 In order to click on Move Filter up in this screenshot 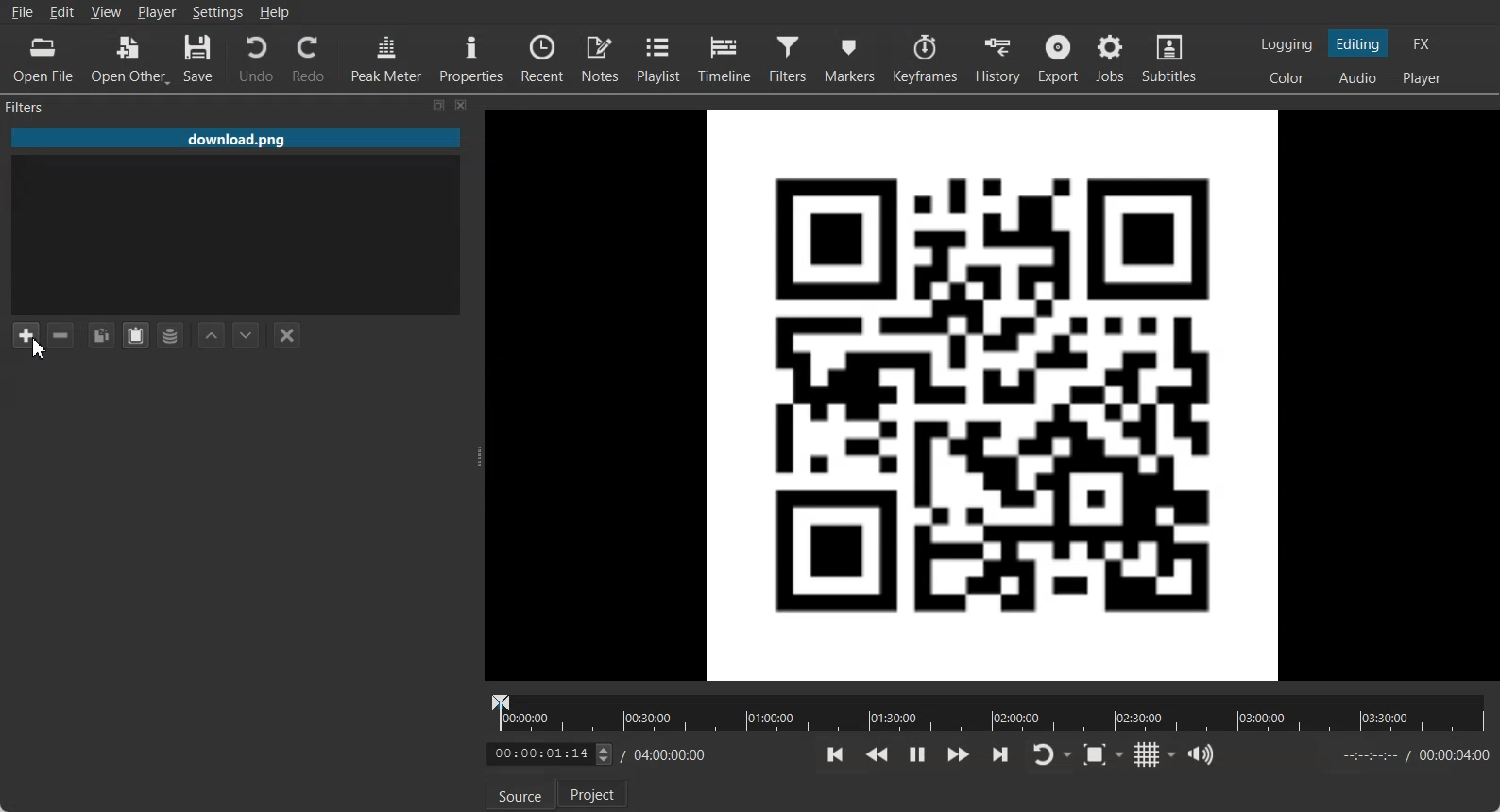, I will do `click(212, 336)`.